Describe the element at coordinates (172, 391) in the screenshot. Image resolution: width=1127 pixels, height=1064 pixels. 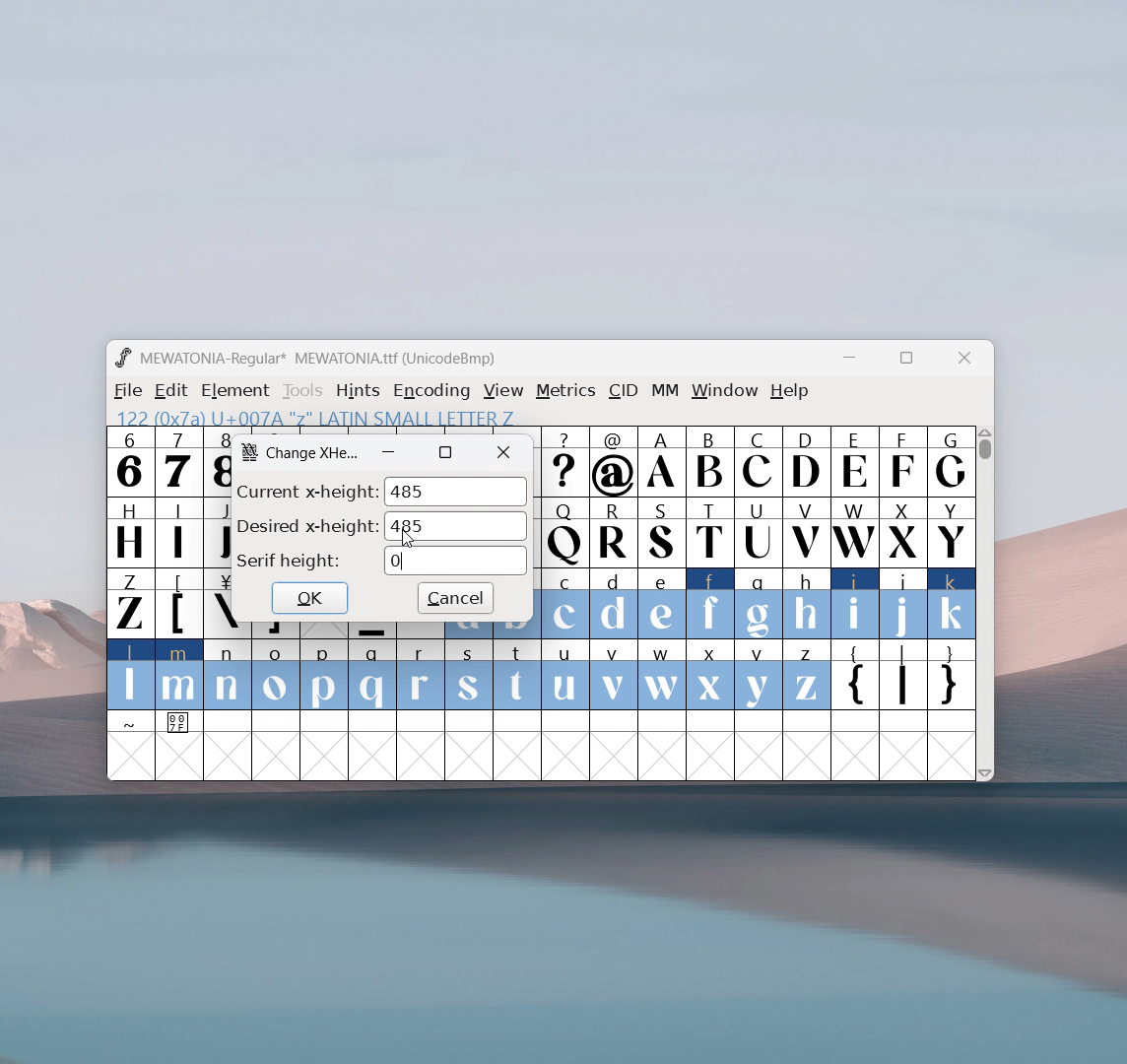
I see `edit` at that location.